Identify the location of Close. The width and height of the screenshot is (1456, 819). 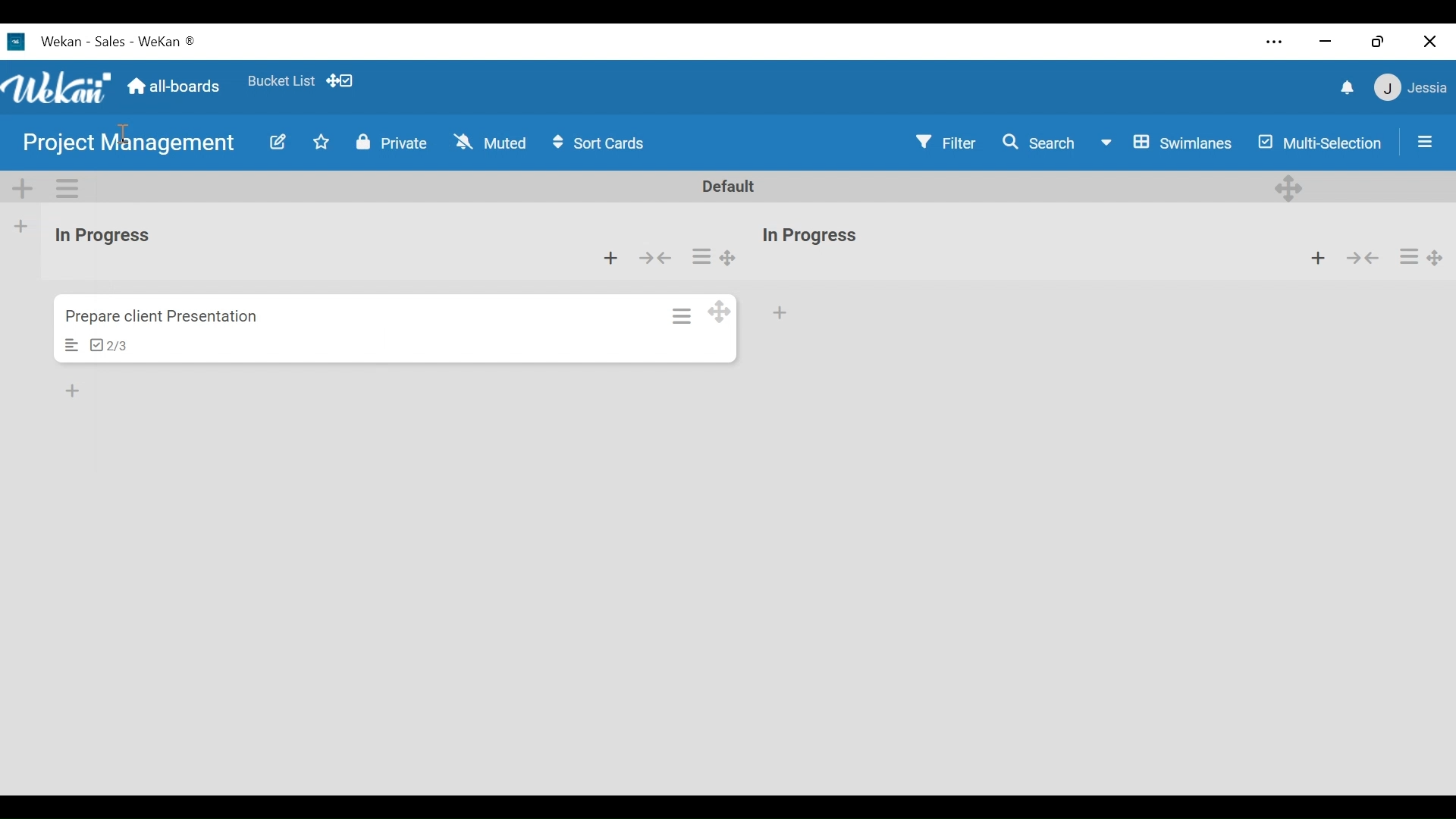
(1429, 43).